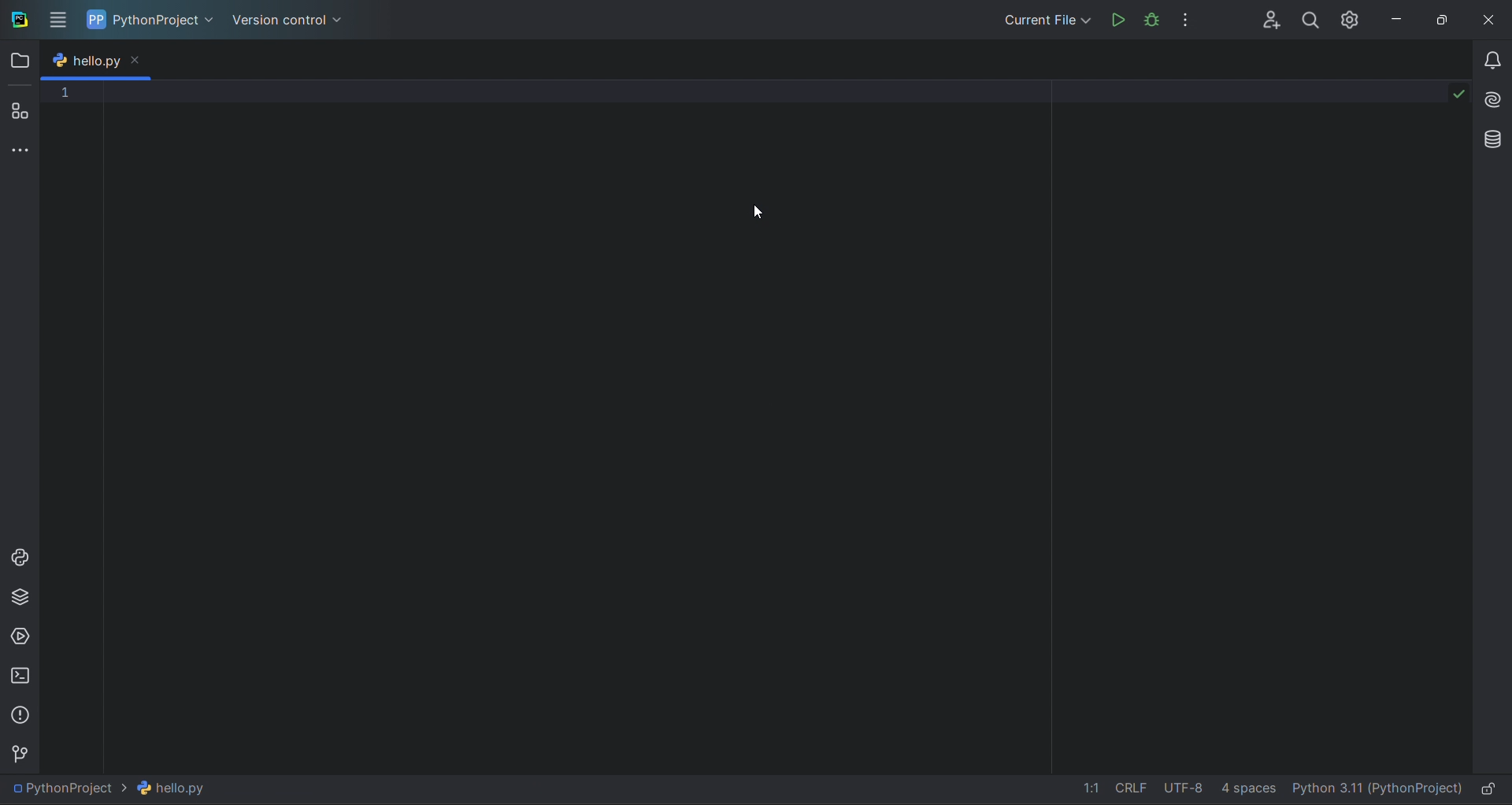 This screenshot has height=805, width=1512. I want to click on logo, so click(18, 18).